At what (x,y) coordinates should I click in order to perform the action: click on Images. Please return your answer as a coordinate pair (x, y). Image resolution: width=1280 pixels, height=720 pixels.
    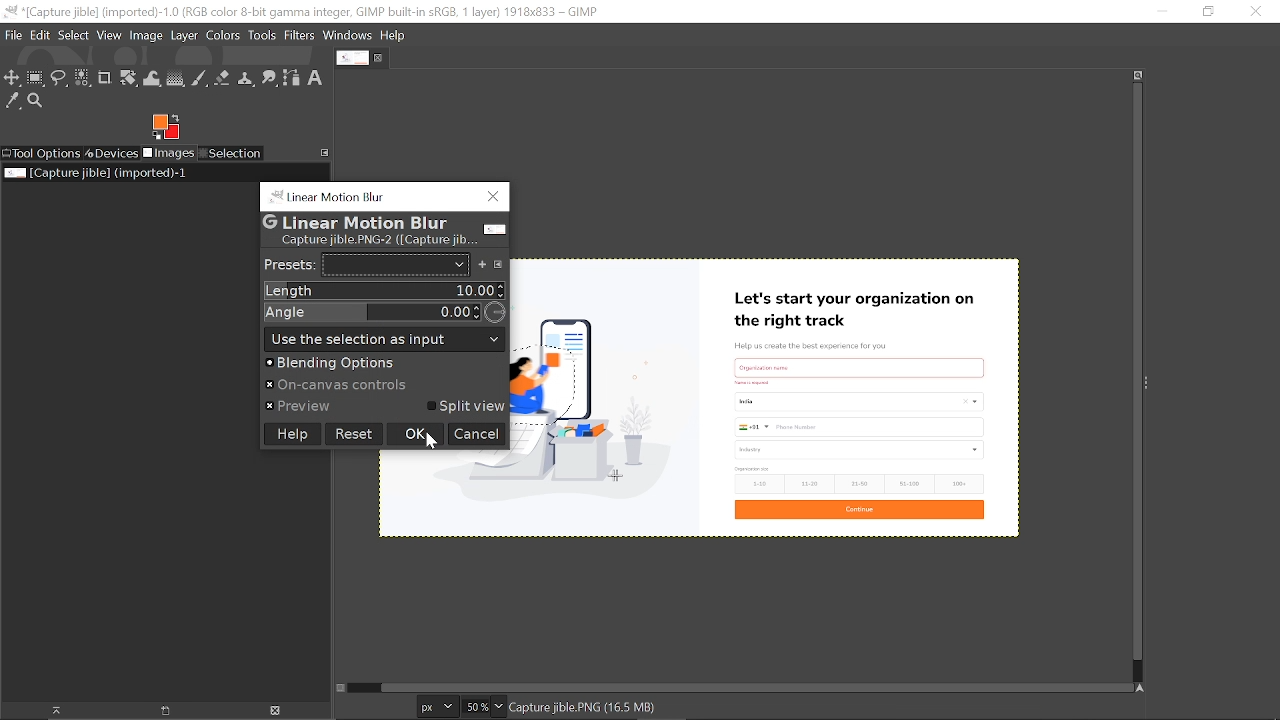
    Looking at the image, I should click on (170, 154).